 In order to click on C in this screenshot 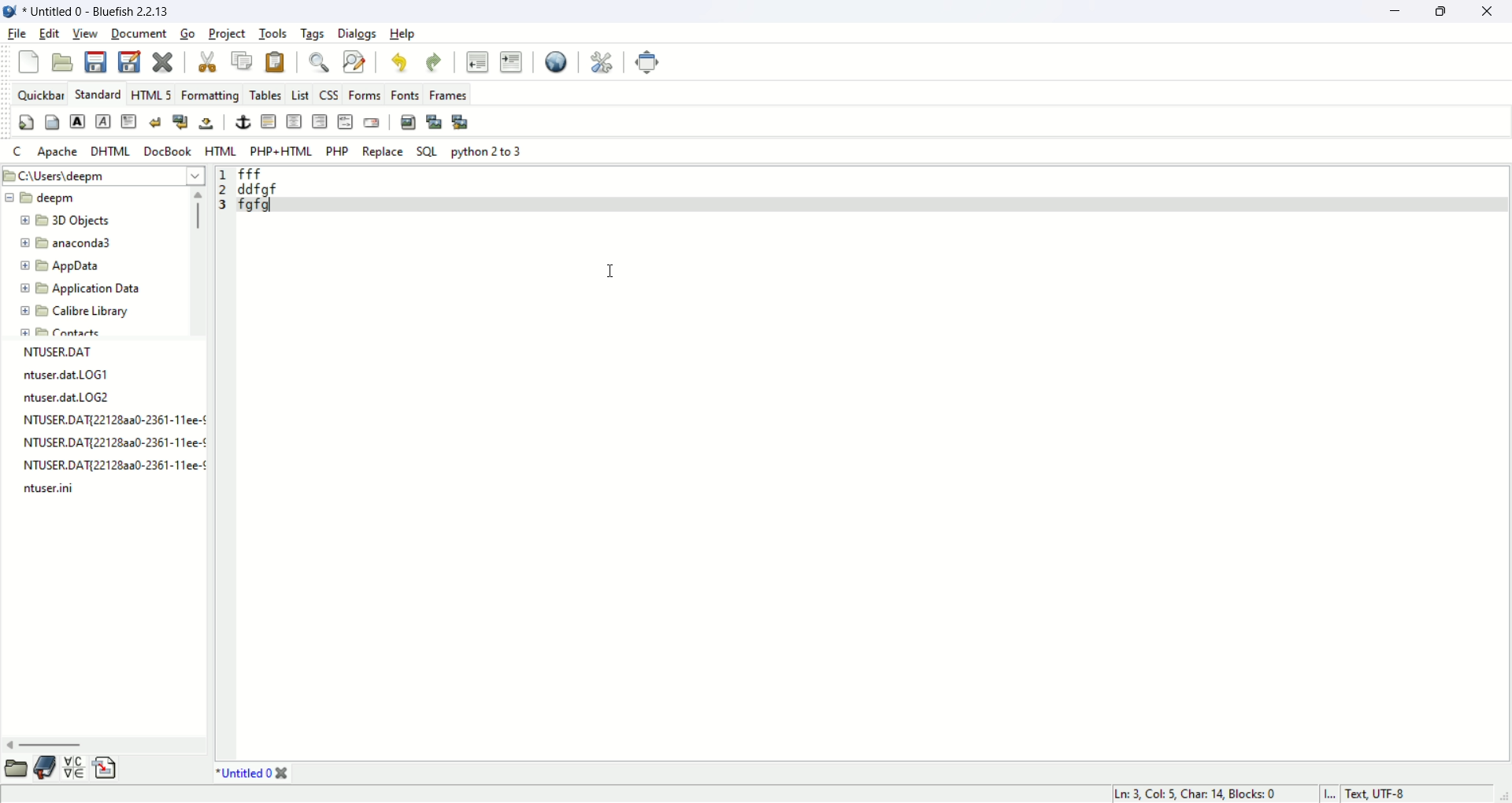, I will do `click(20, 152)`.